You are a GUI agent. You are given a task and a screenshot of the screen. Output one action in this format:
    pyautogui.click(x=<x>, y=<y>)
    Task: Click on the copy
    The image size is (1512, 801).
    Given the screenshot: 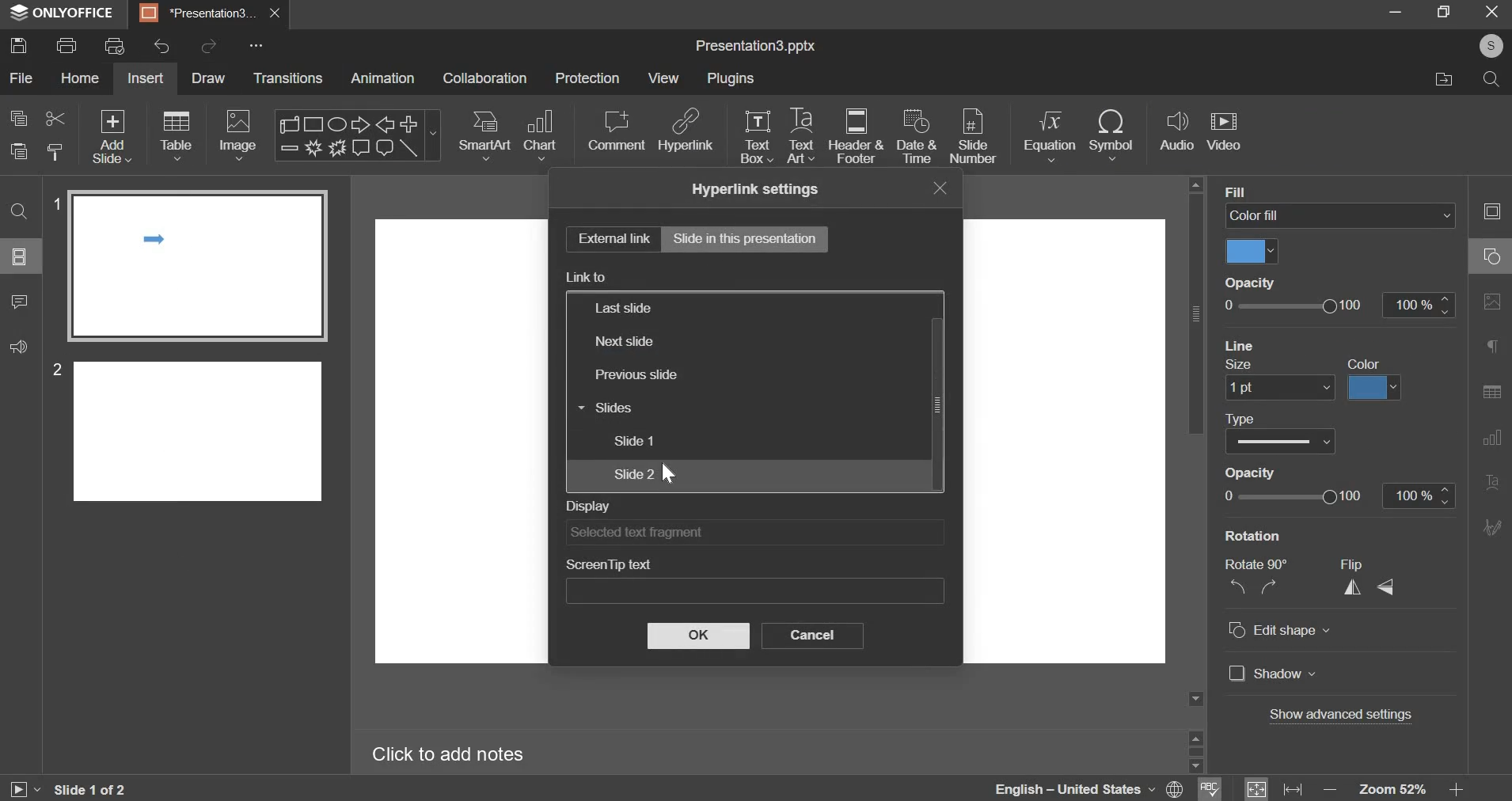 What is the action you would take?
    pyautogui.click(x=19, y=118)
    